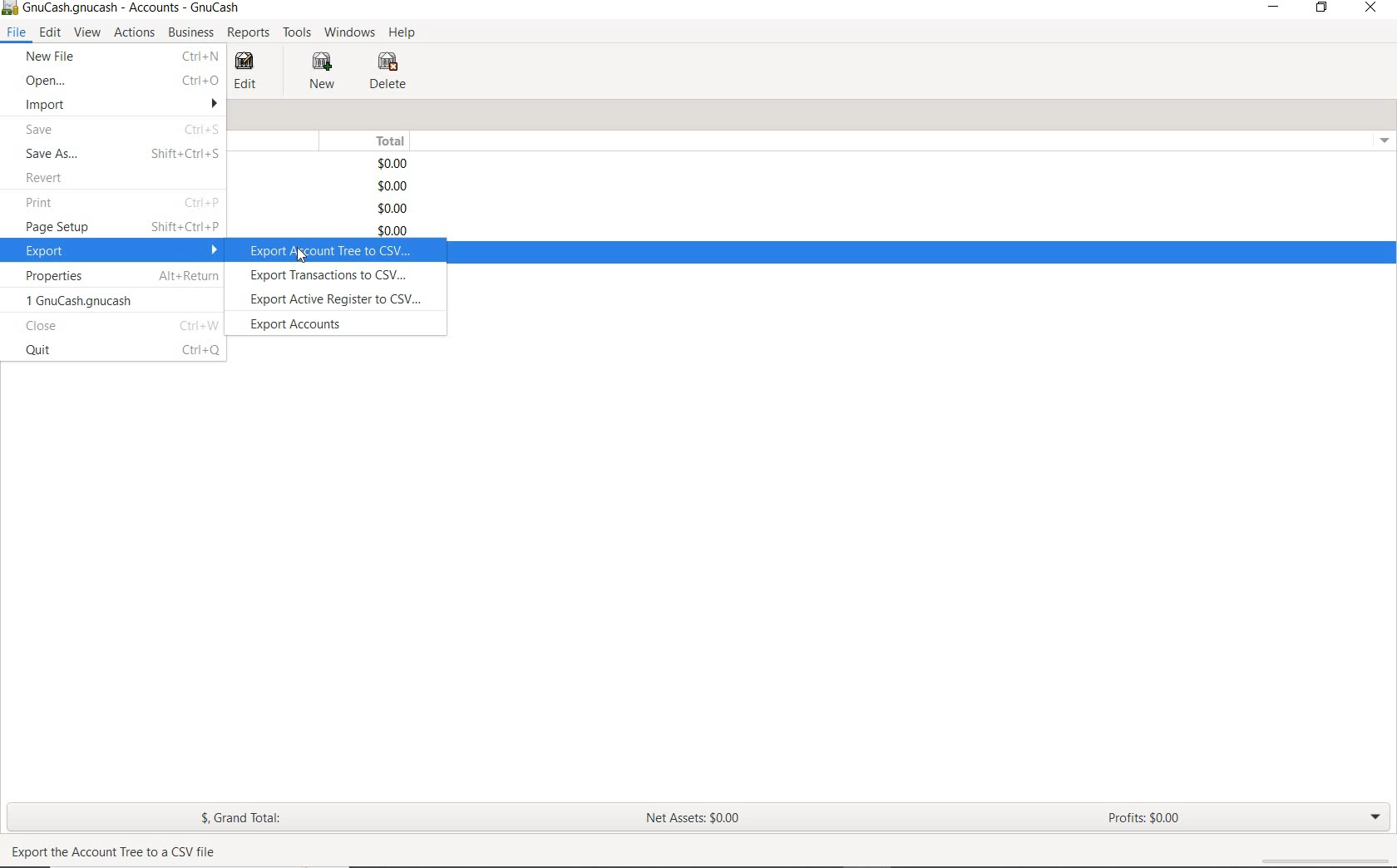  What do you see at coordinates (51, 33) in the screenshot?
I see `EDIT` at bounding box center [51, 33].